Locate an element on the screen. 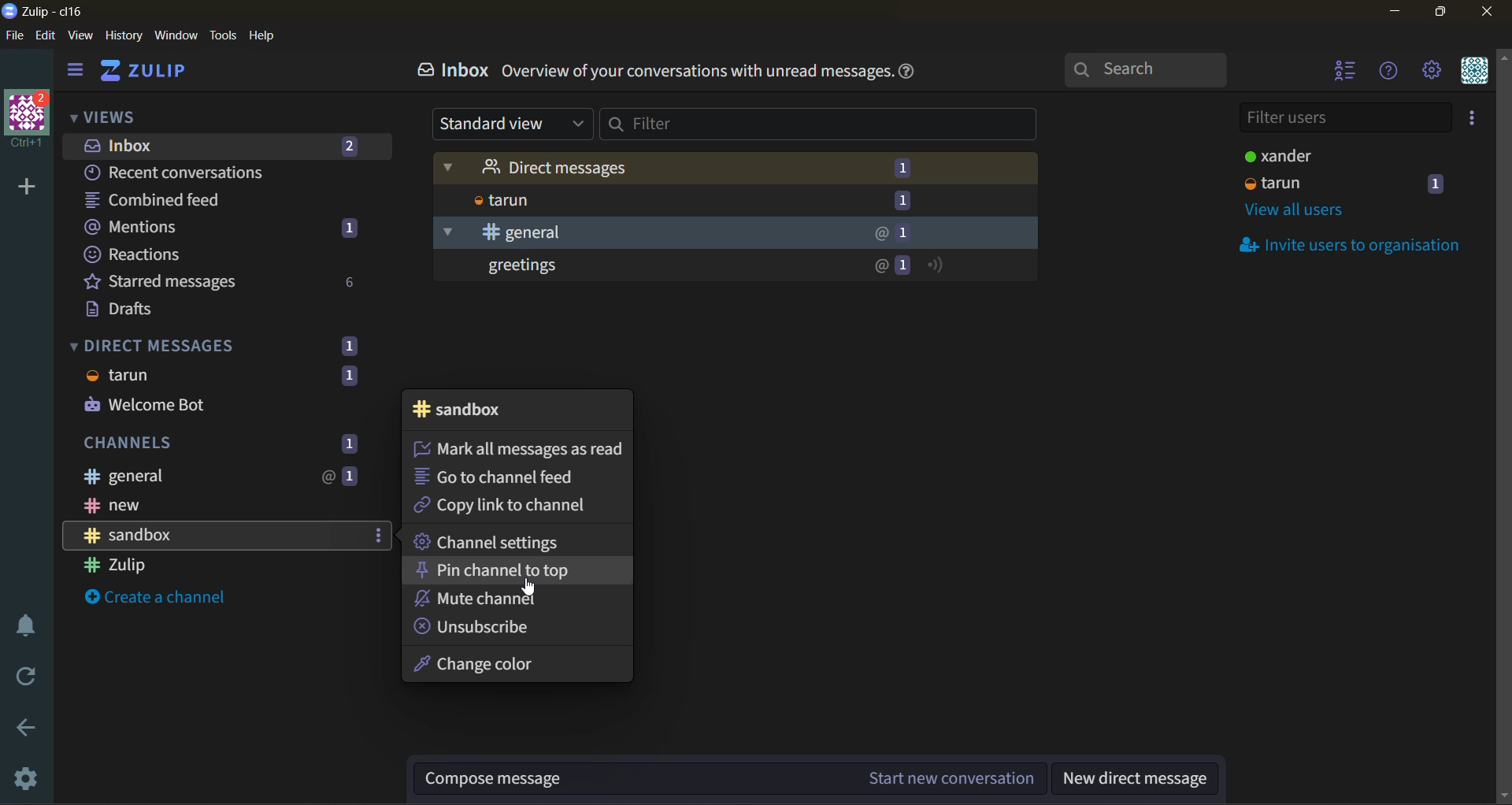  organisation is located at coordinates (28, 121).